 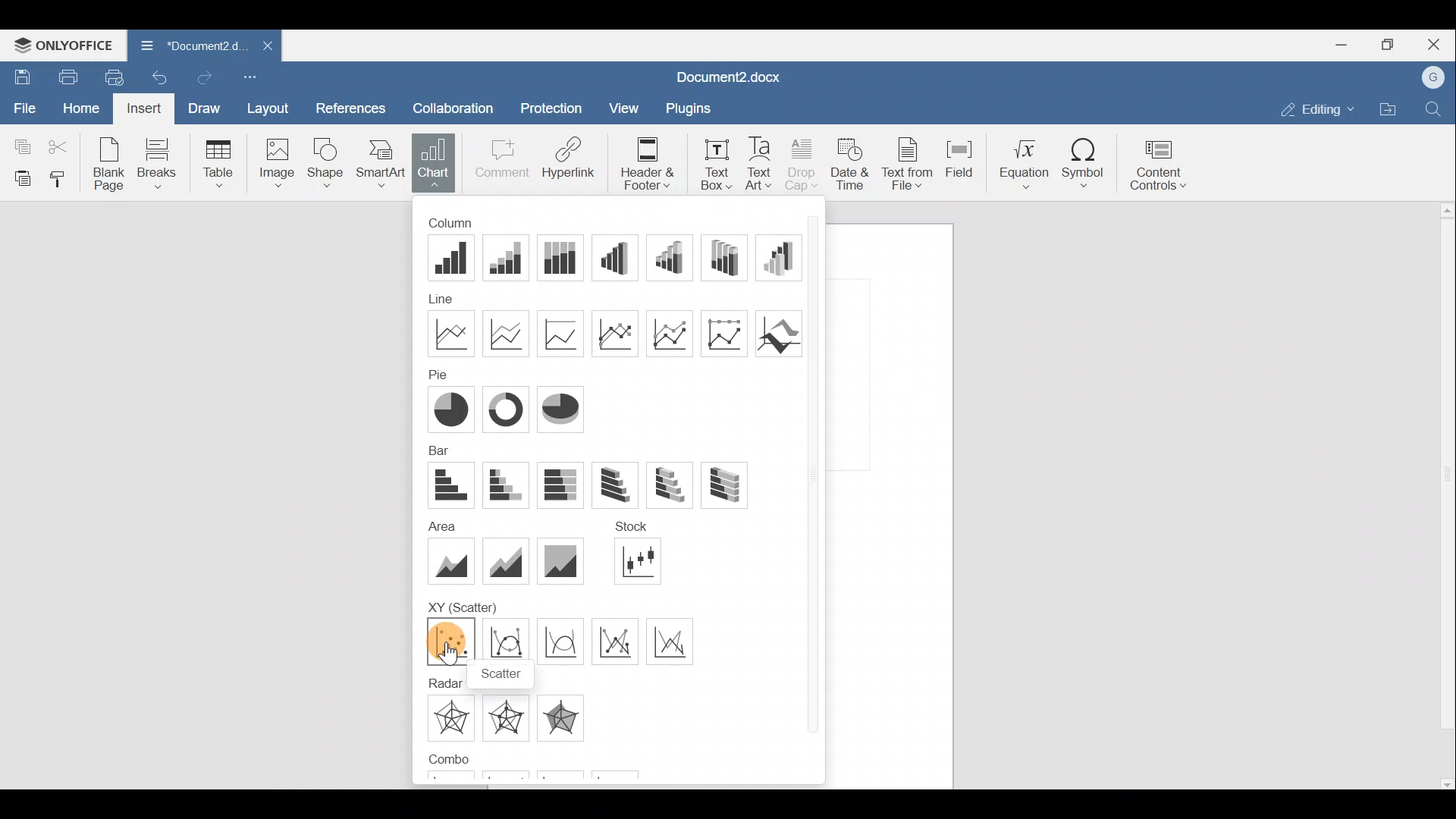 I want to click on Cursor on Insert, so click(x=142, y=108).